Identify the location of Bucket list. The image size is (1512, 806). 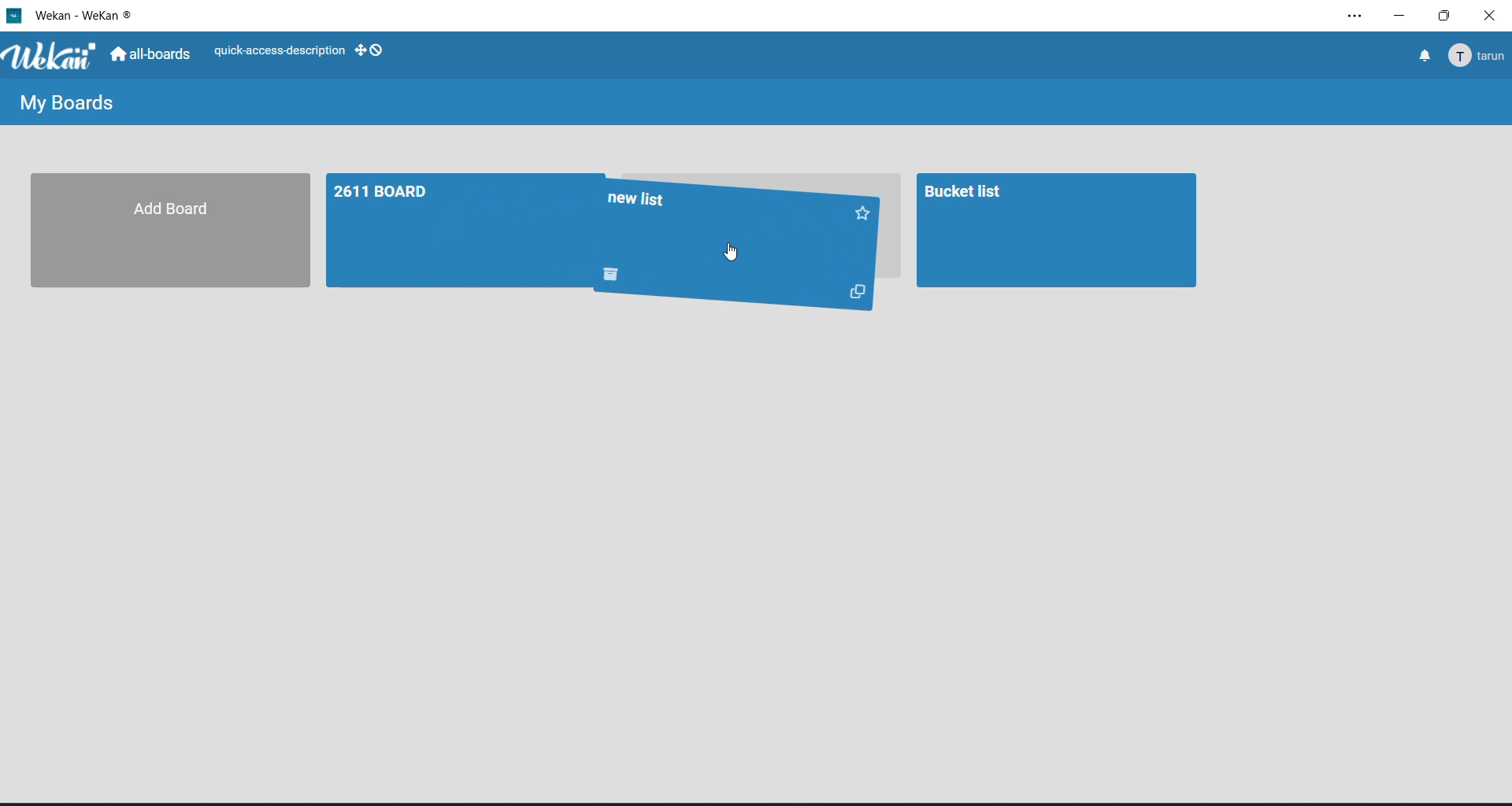
(1054, 231).